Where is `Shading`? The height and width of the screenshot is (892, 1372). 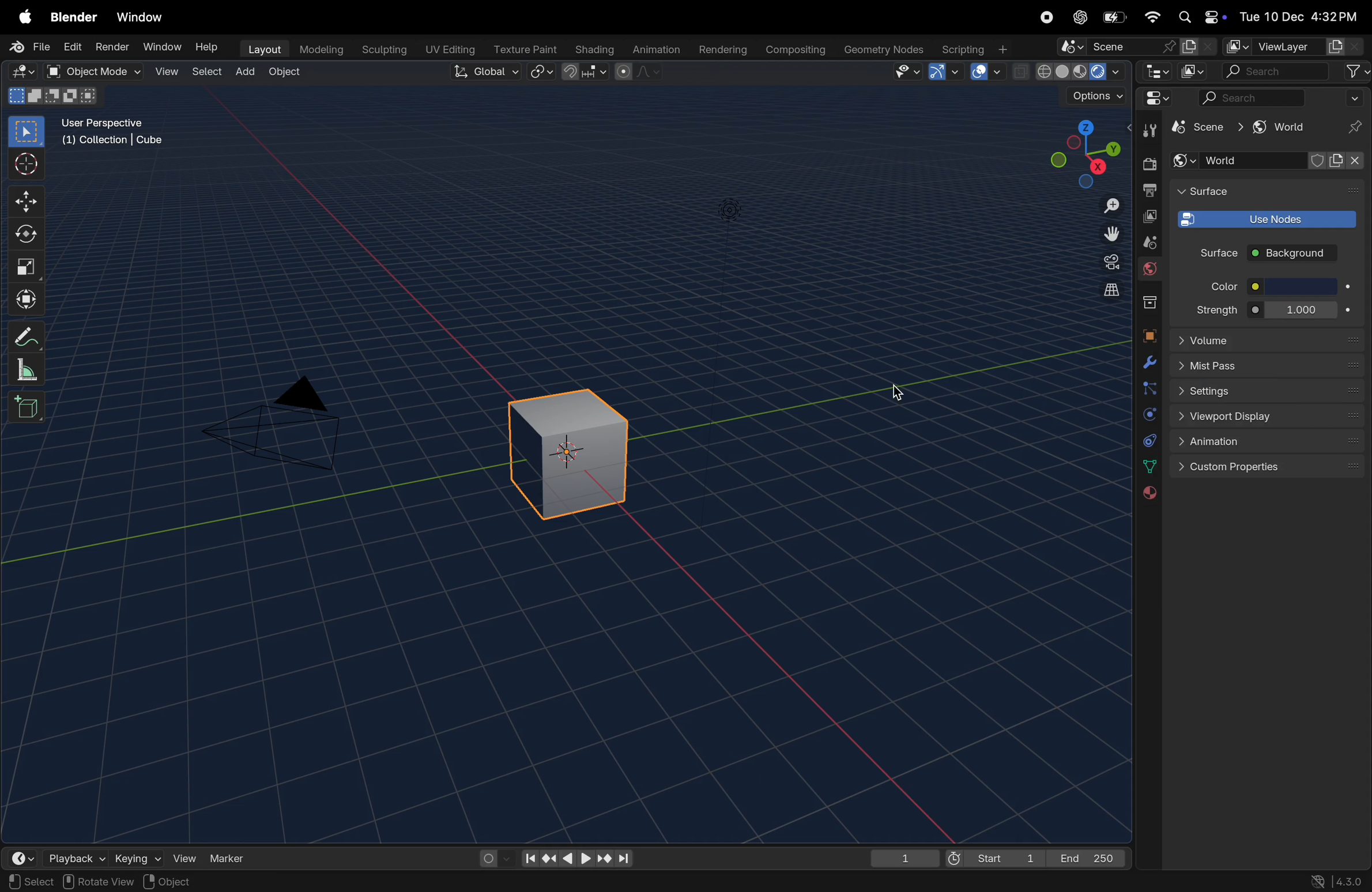 Shading is located at coordinates (592, 49).